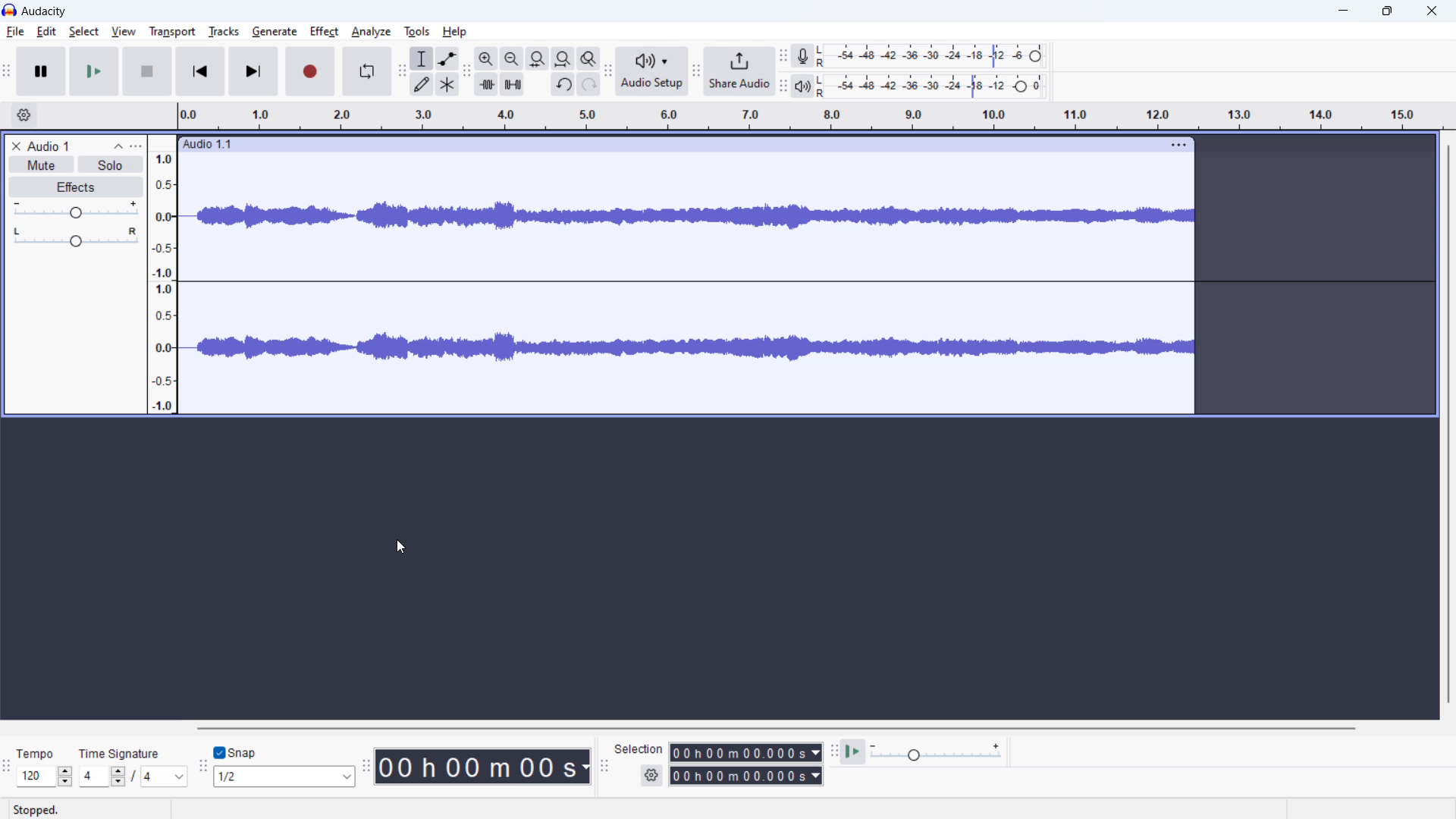  I want to click on Stopped, so click(38, 810).